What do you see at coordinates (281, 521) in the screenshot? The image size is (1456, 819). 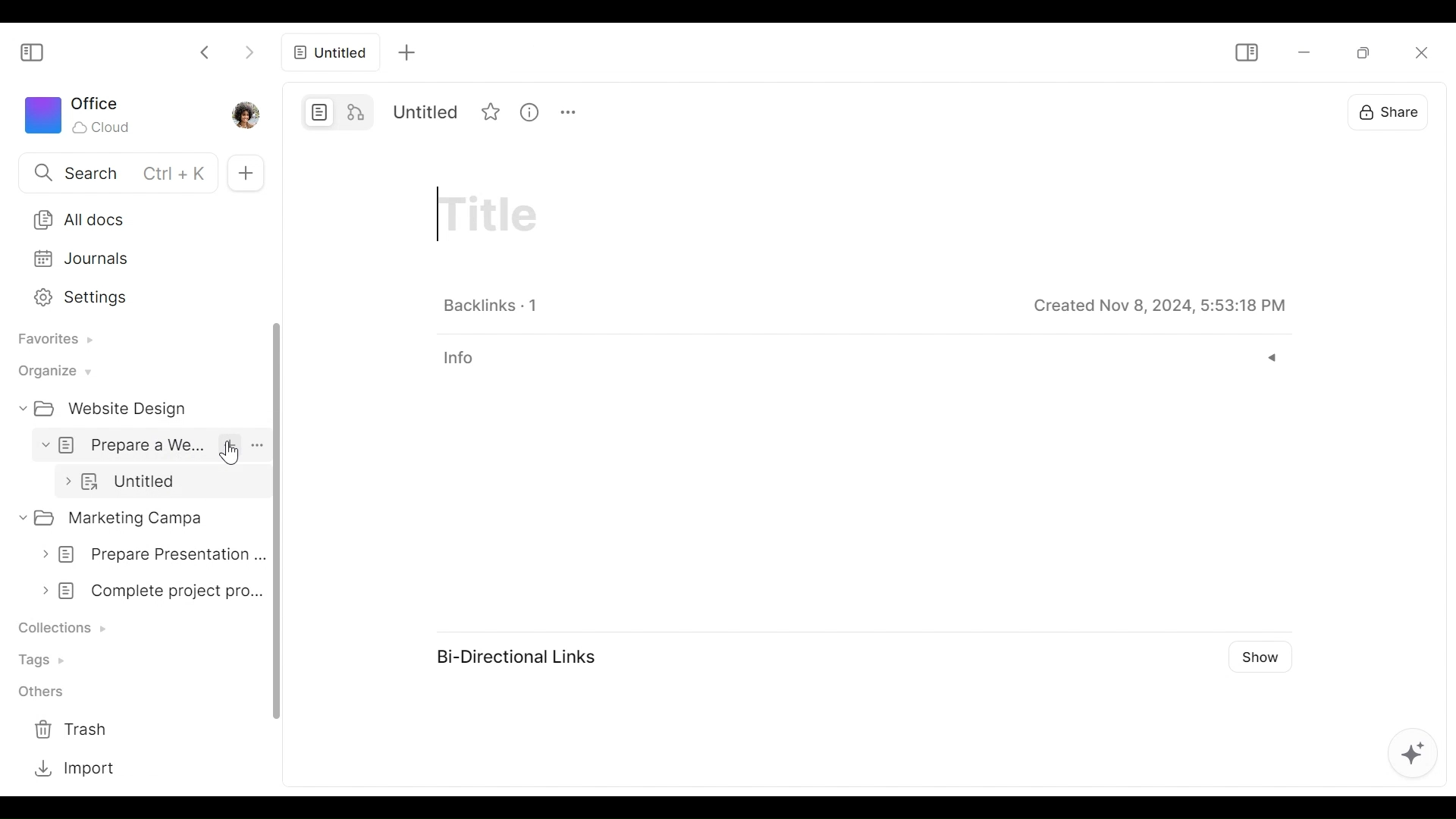 I see `Vertical Scroll bar` at bounding box center [281, 521].